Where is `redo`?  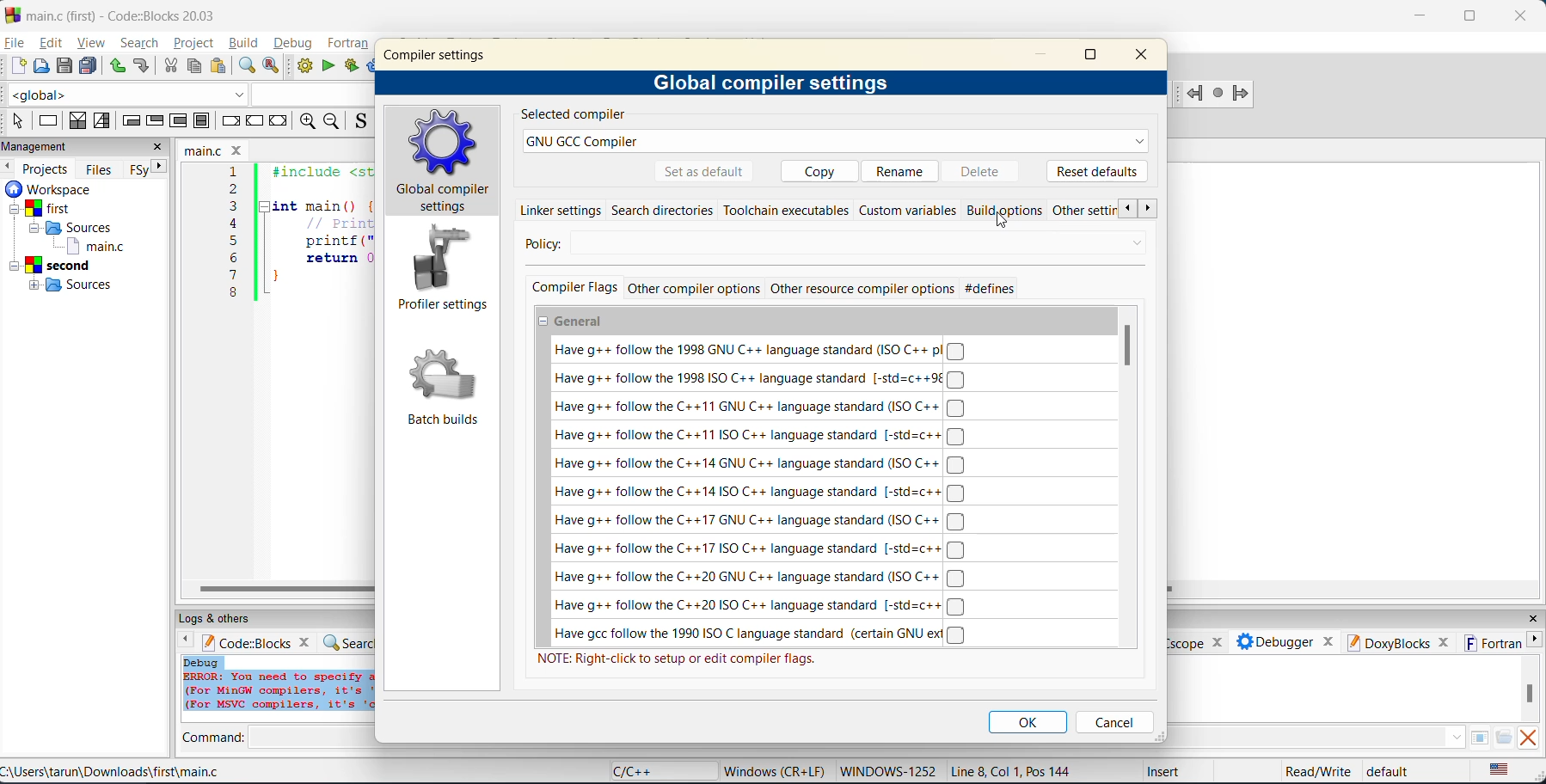
redo is located at coordinates (142, 65).